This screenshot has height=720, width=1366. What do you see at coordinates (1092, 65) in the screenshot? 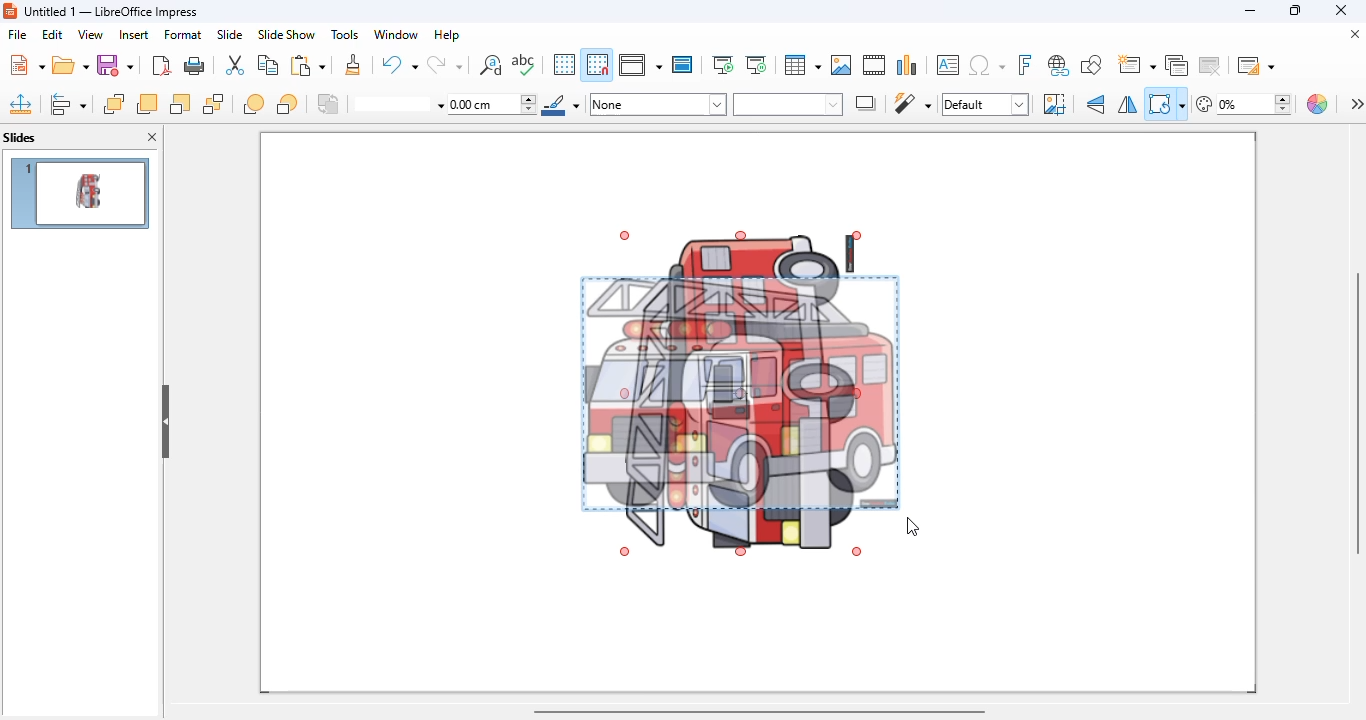
I see `show draw functions` at bounding box center [1092, 65].